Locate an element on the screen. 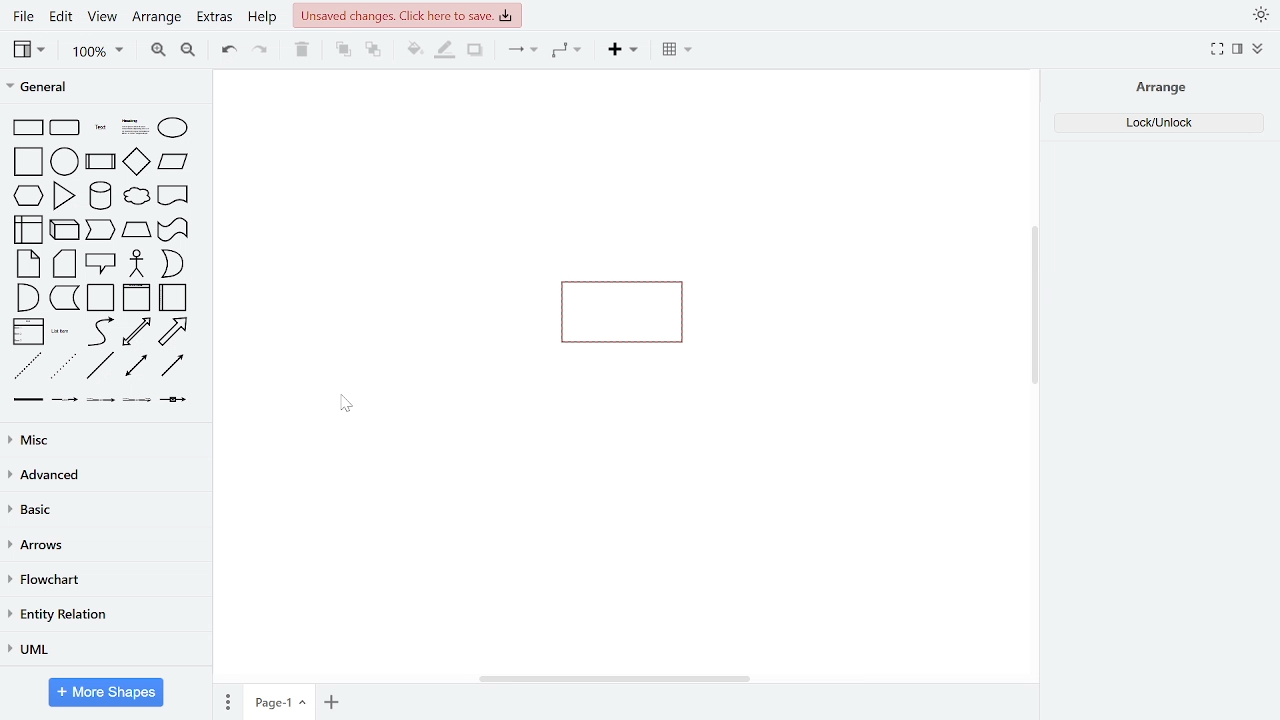 The height and width of the screenshot is (720, 1280). basic is located at coordinates (105, 512).